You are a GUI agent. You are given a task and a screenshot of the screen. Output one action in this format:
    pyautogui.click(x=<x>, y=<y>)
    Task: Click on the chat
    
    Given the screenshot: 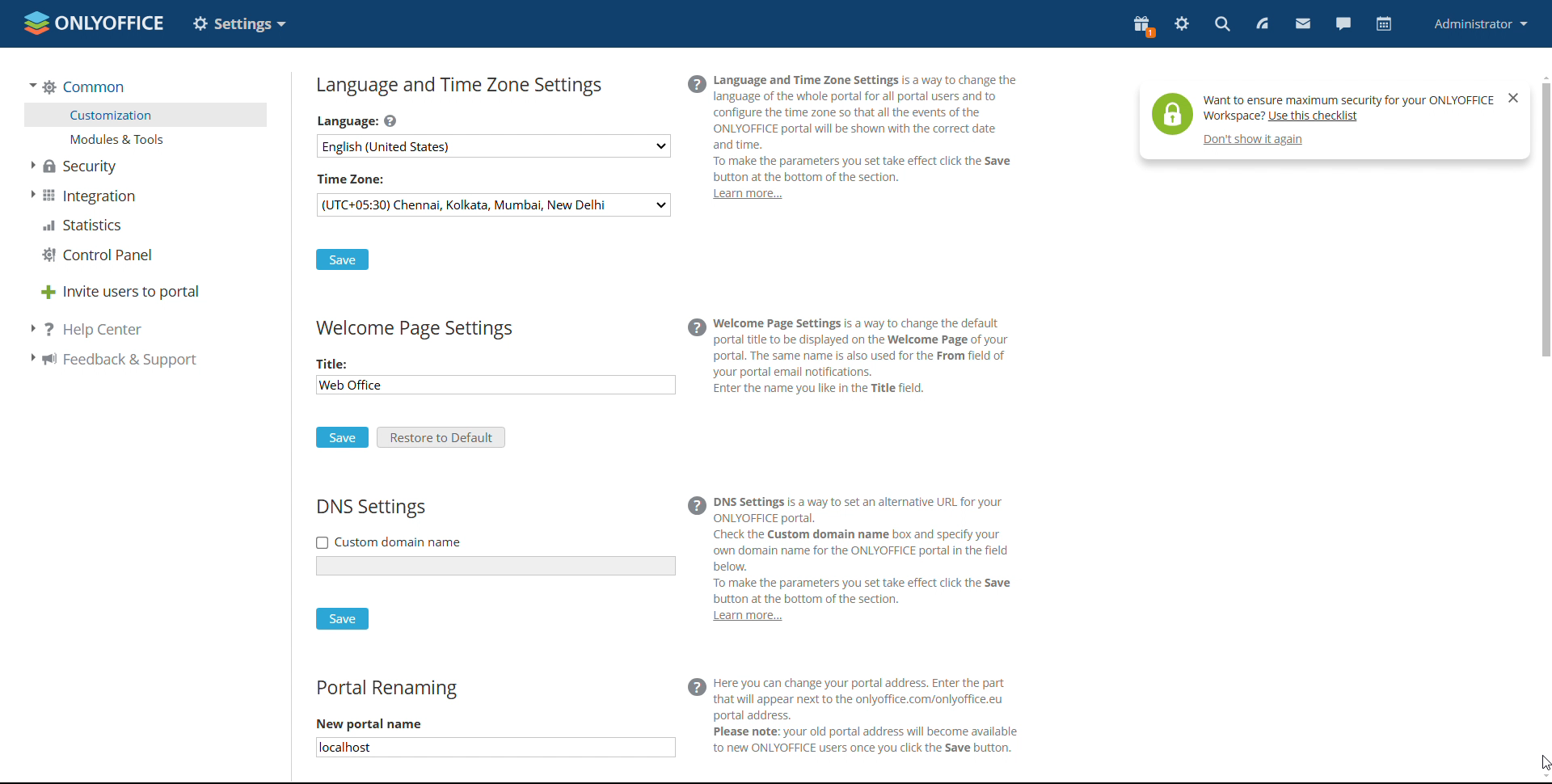 What is the action you would take?
    pyautogui.click(x=1343, y=23)
    